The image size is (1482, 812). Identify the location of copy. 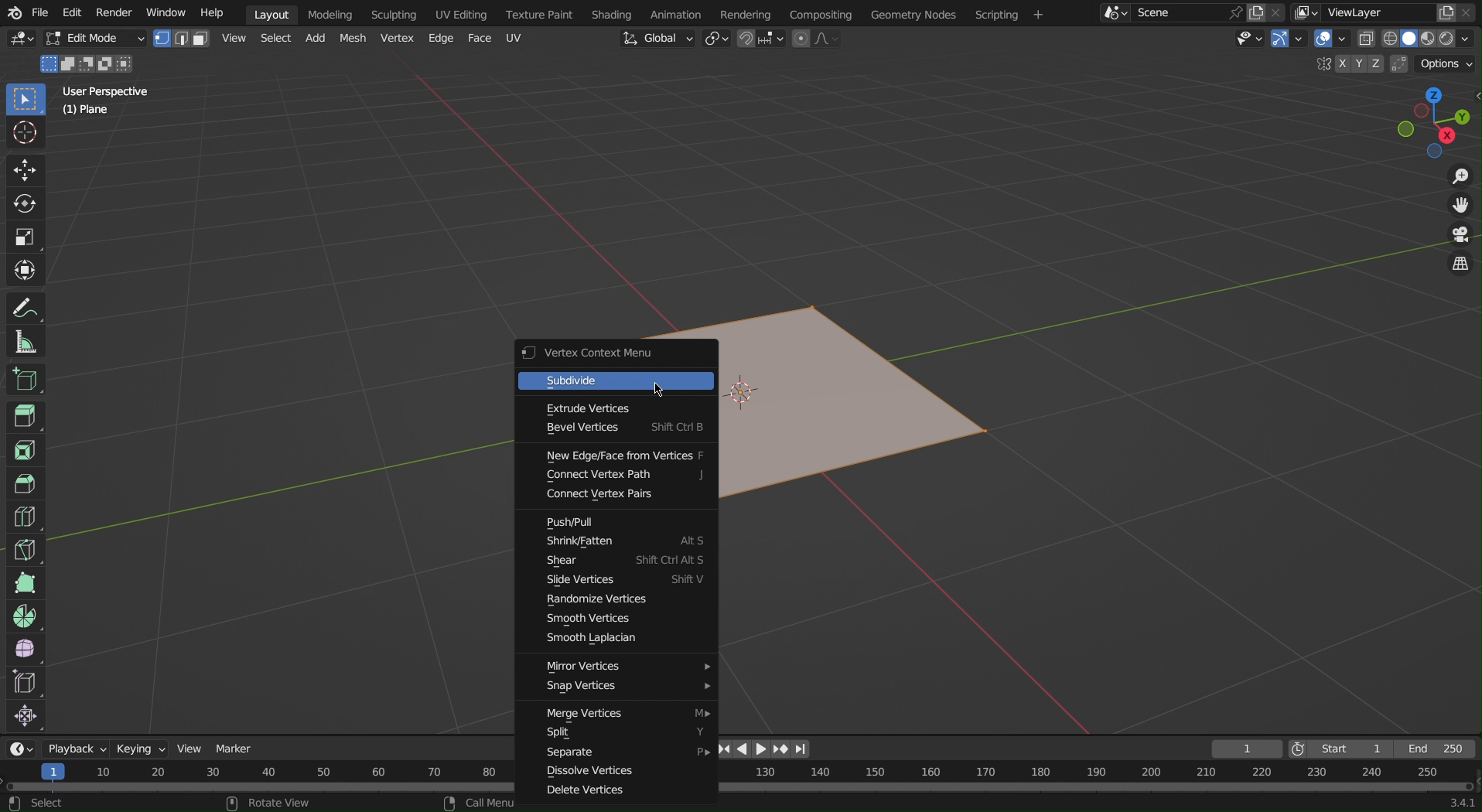
(1447, 14).